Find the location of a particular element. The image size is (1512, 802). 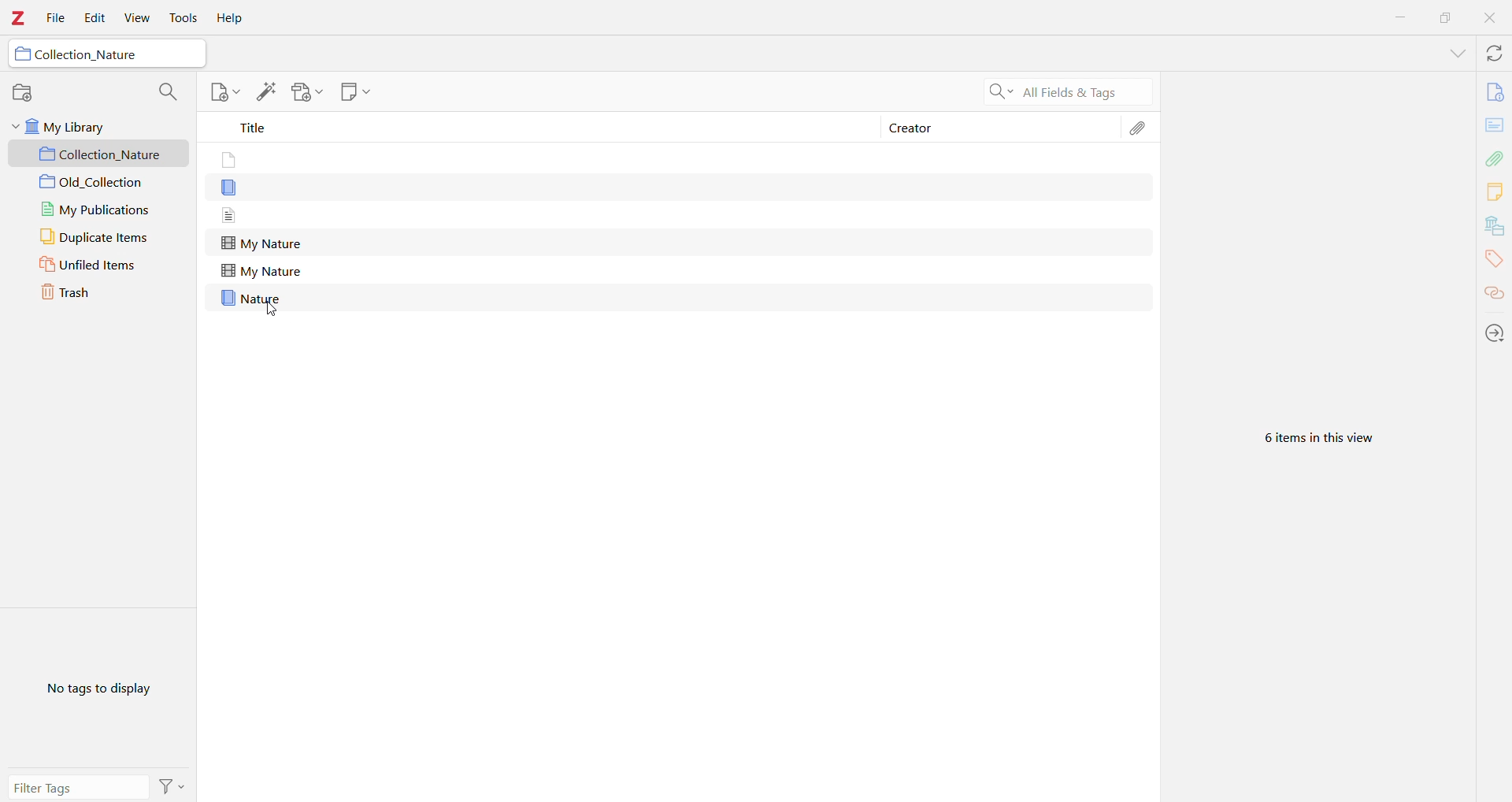

File is located at coordinates (57, 19).